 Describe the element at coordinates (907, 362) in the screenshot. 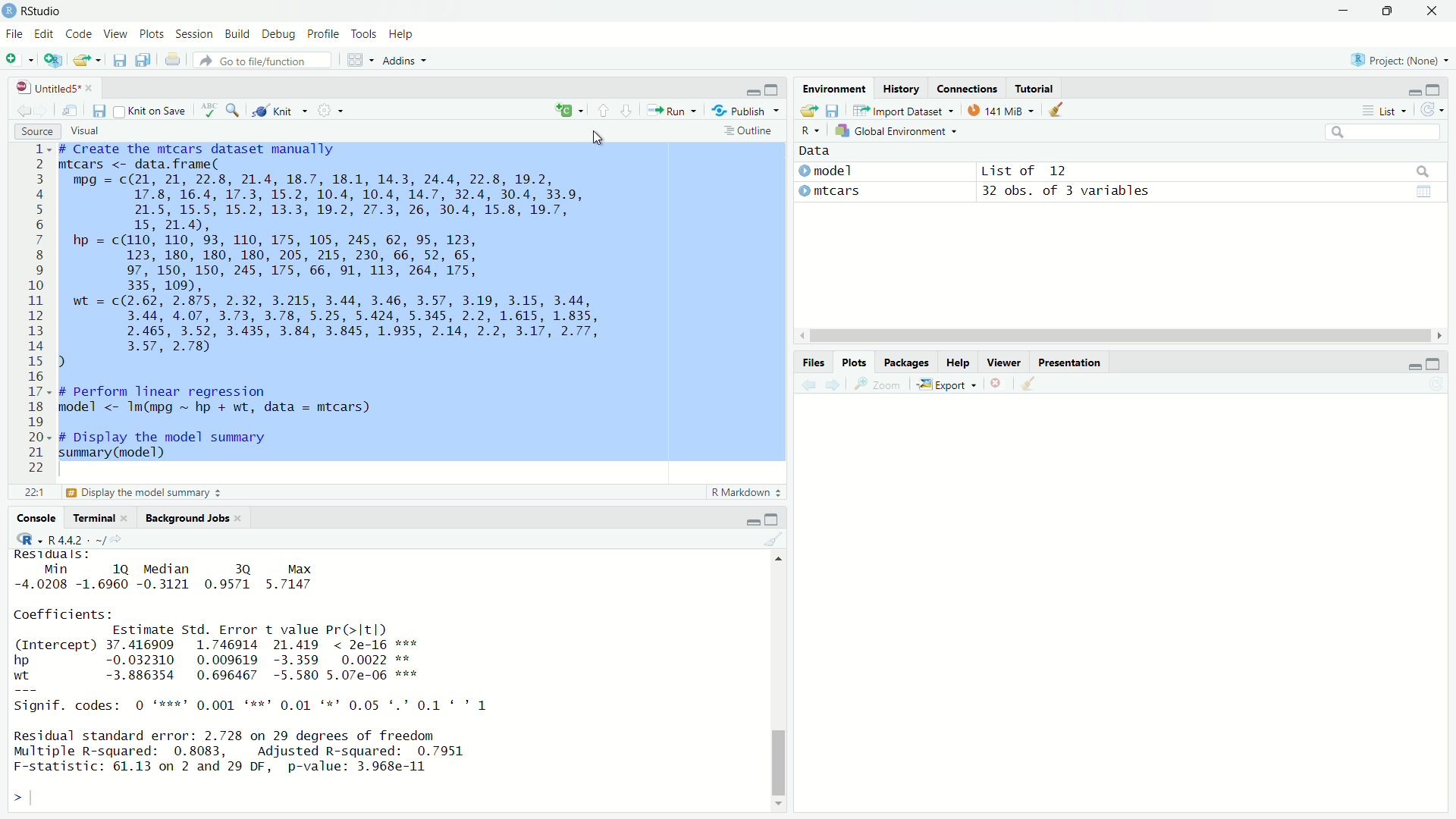

I see `Packages` at that location.